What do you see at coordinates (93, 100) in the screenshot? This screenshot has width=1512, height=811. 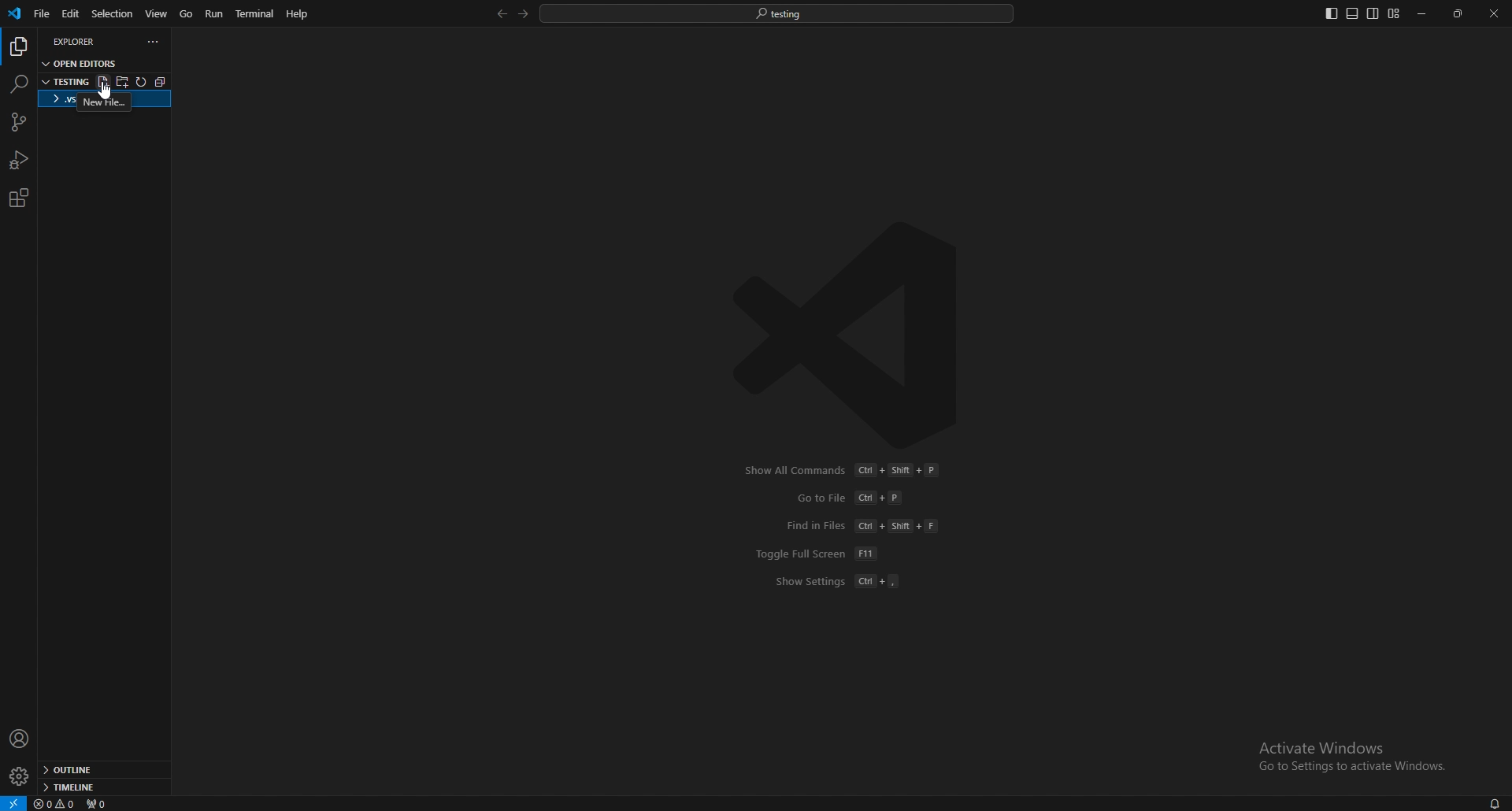 I see `folder name` at bounding box center [93, 100].